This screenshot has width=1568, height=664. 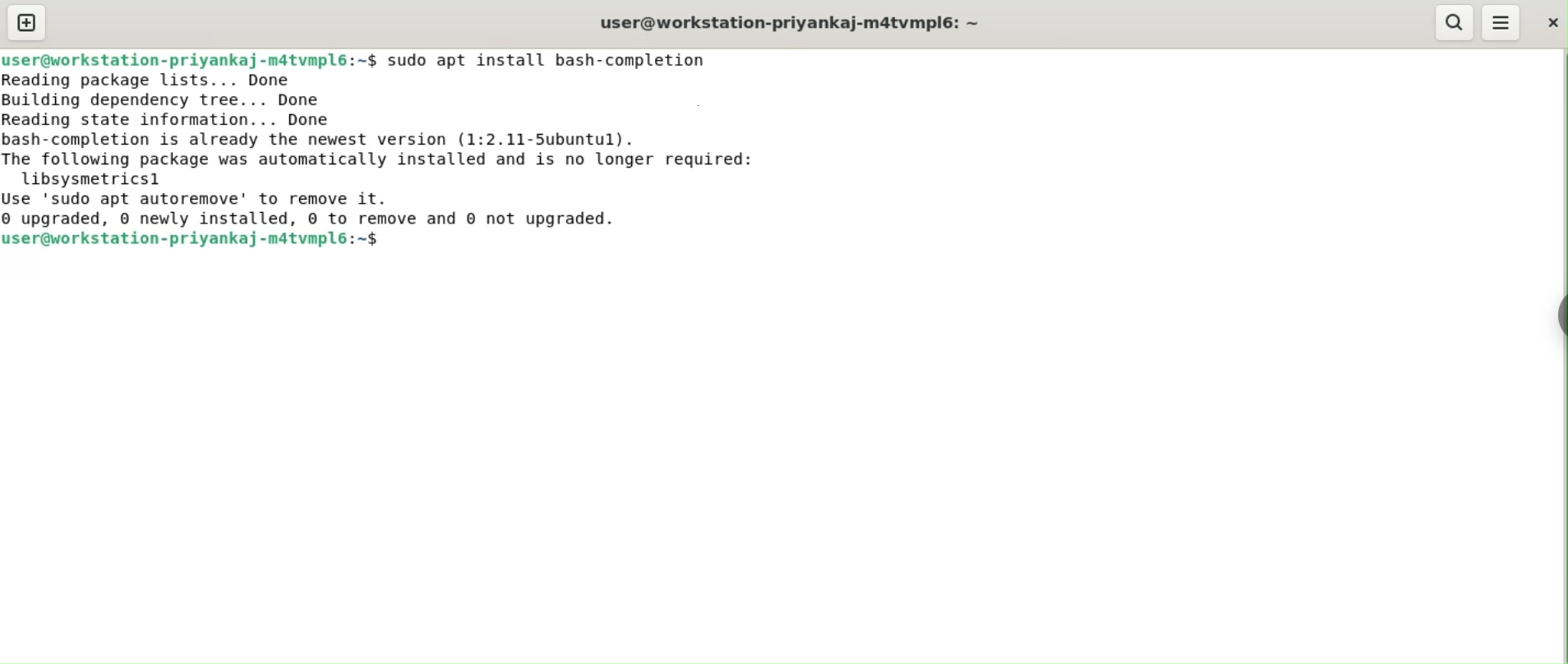 I want to click on close, so click(x=1549, y=25).